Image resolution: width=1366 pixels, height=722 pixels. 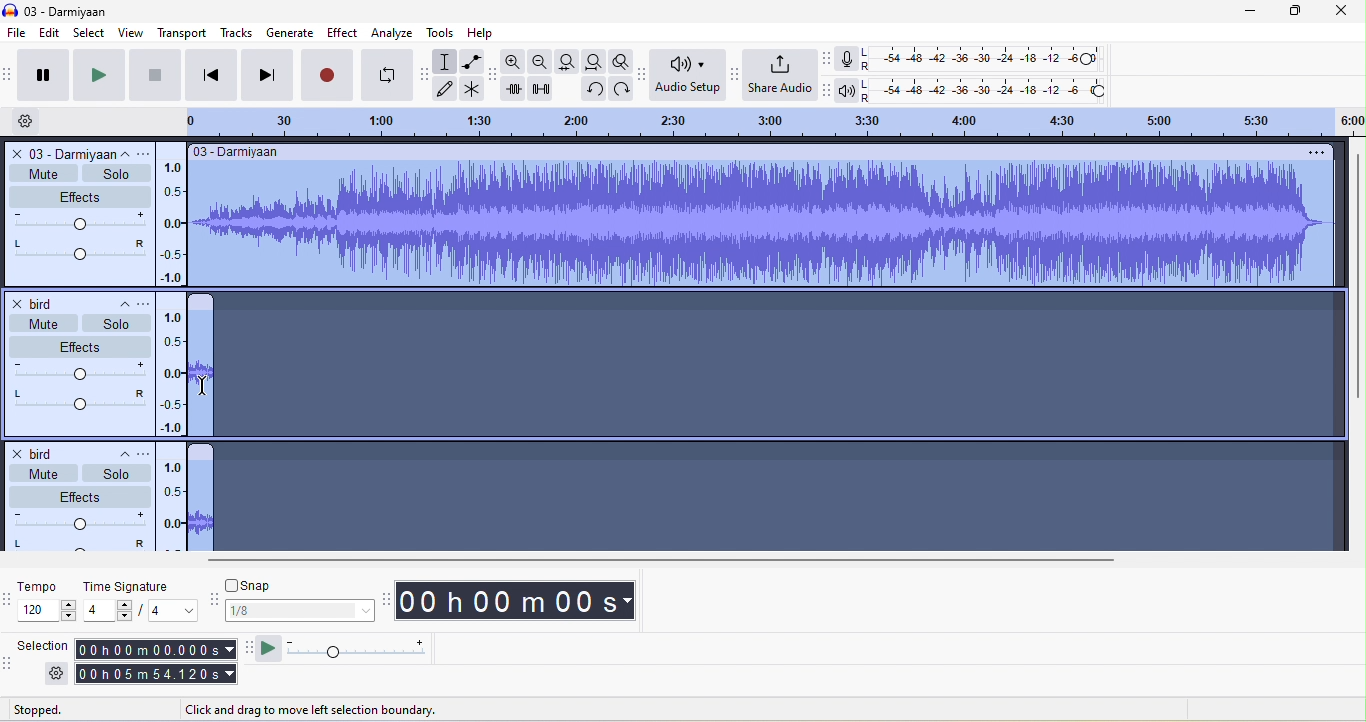 What do you see at coordinates (781, 75) in the screenshot?
I see `share audio` at bounding box center [781, 75].